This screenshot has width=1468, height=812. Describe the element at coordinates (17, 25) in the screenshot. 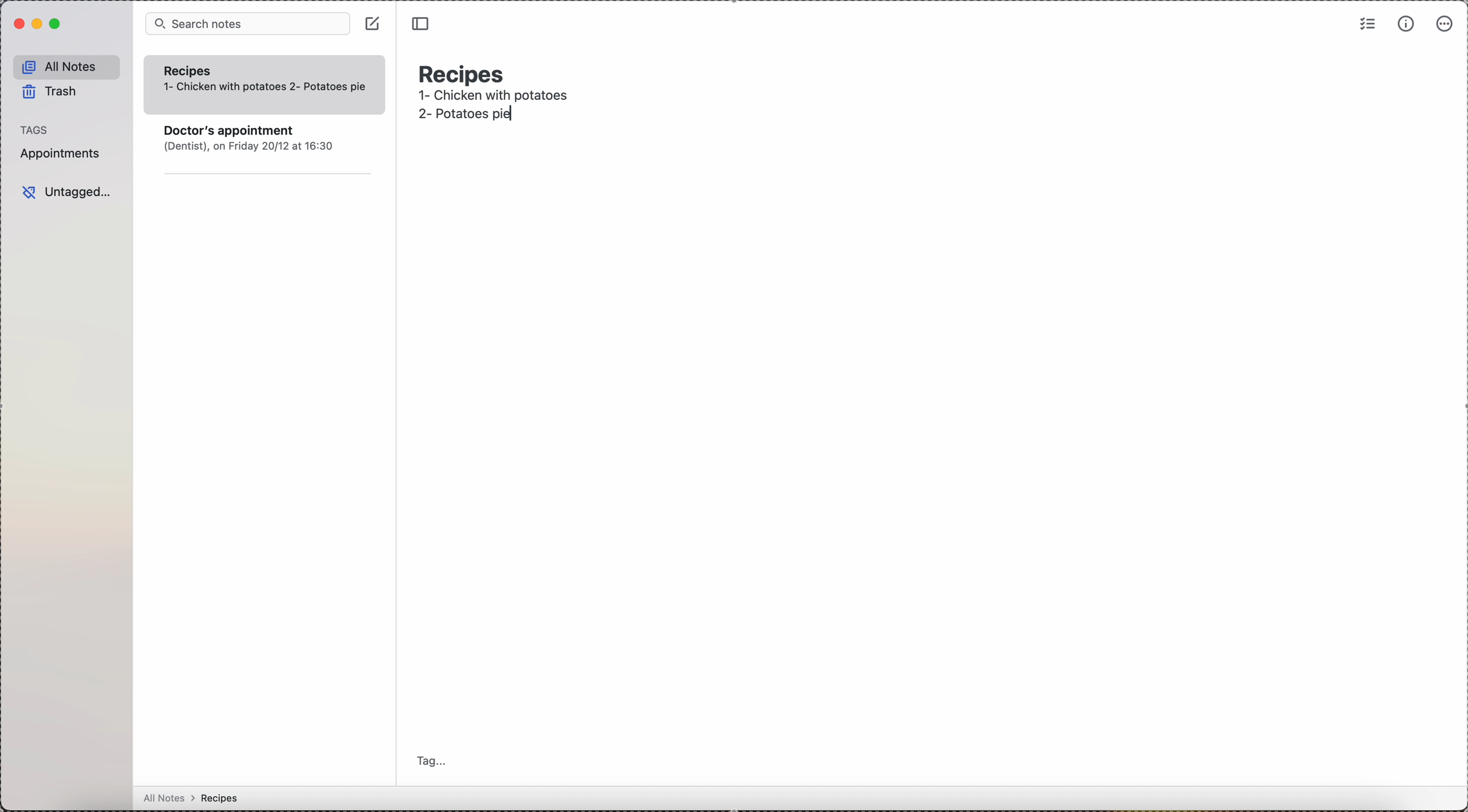

I see `close simplenote` at that location.